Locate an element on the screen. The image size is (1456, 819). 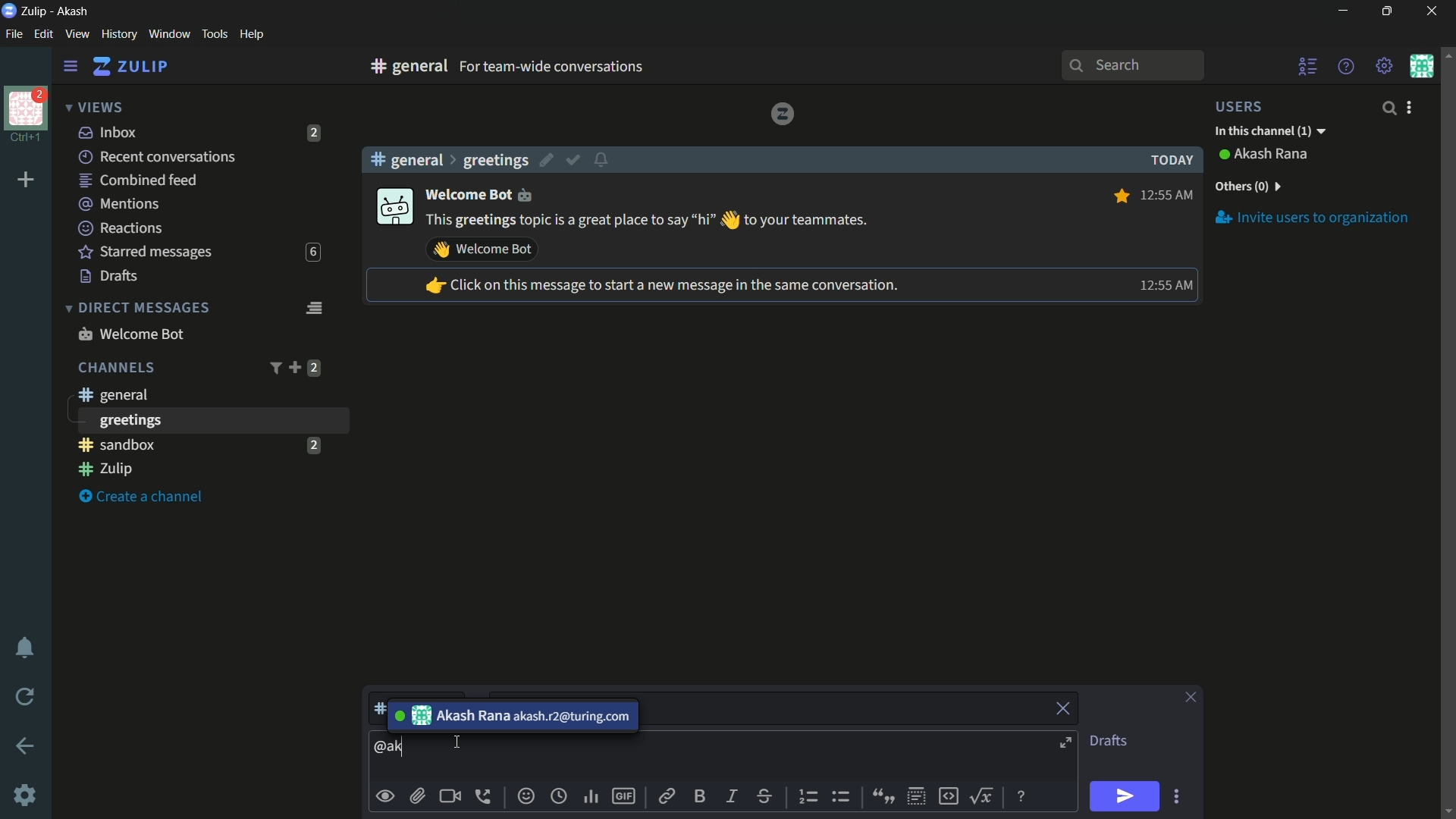
2 unread messages is located at coordinates (315, 133).